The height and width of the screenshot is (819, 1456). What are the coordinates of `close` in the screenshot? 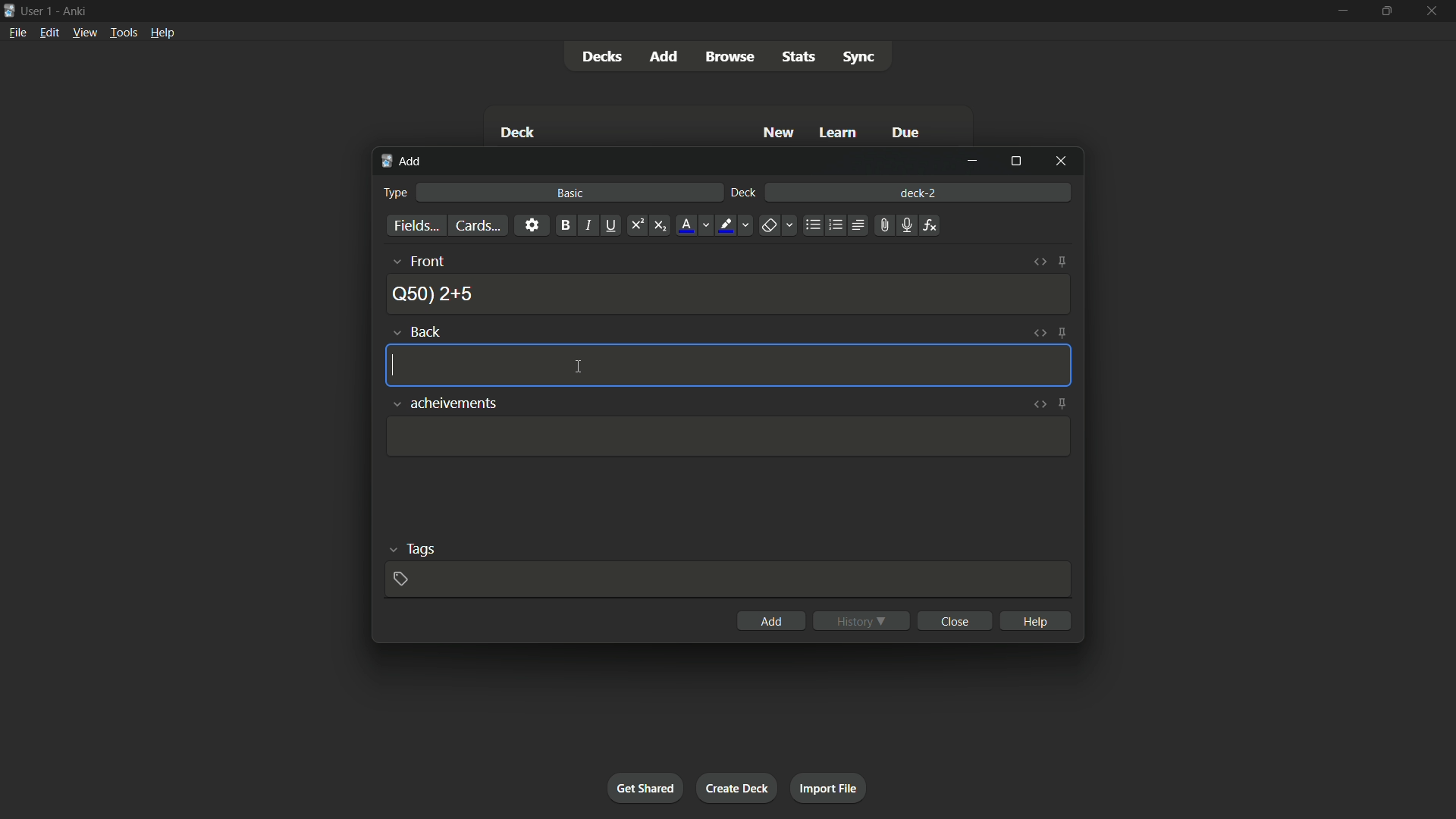 It's located at (954, 620).